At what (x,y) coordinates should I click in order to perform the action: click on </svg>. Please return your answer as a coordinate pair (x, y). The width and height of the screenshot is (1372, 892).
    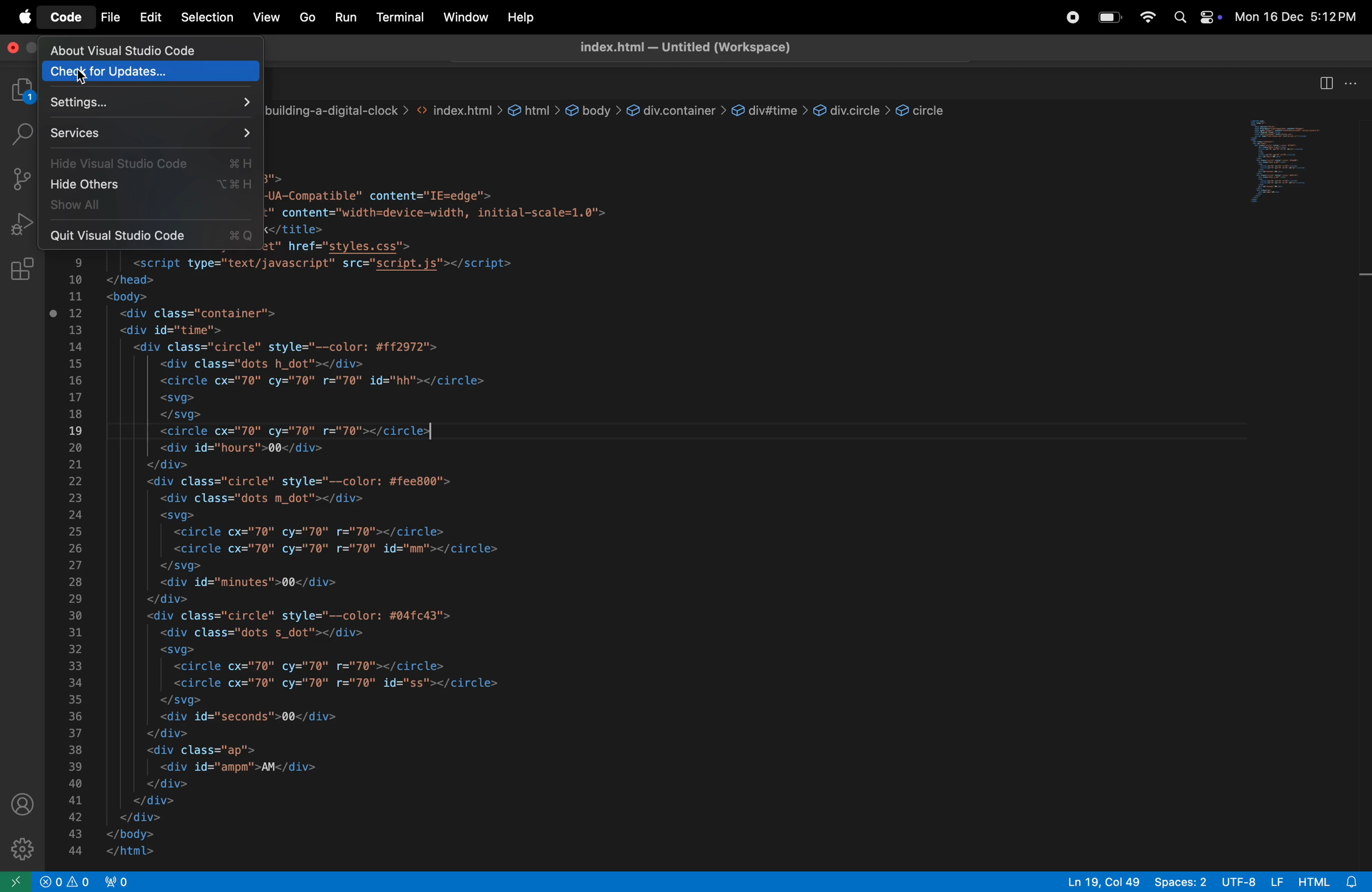
    Looking at the image, I should click on (174, 700).